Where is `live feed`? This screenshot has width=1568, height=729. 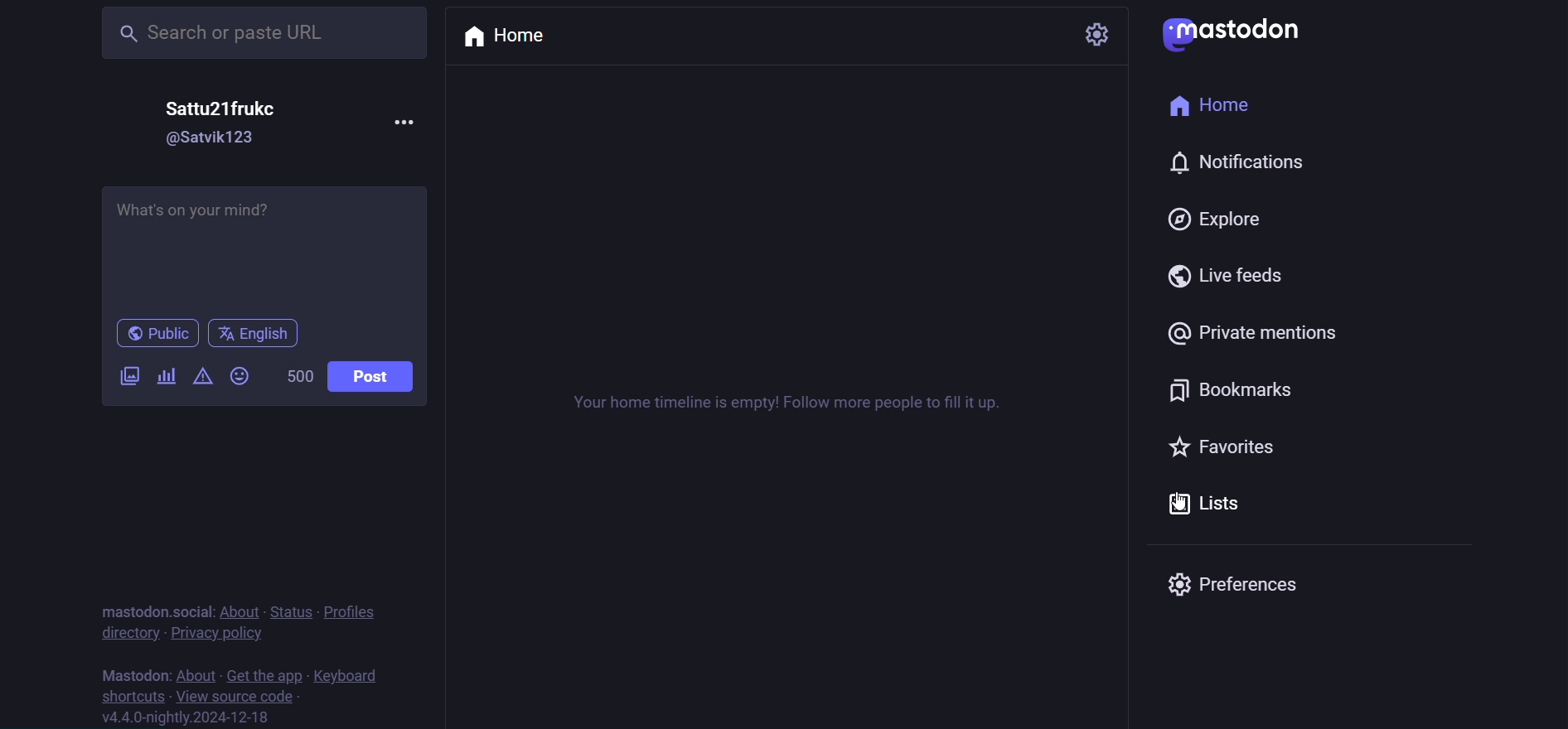 live feed is located at coordinates (1233, 276).